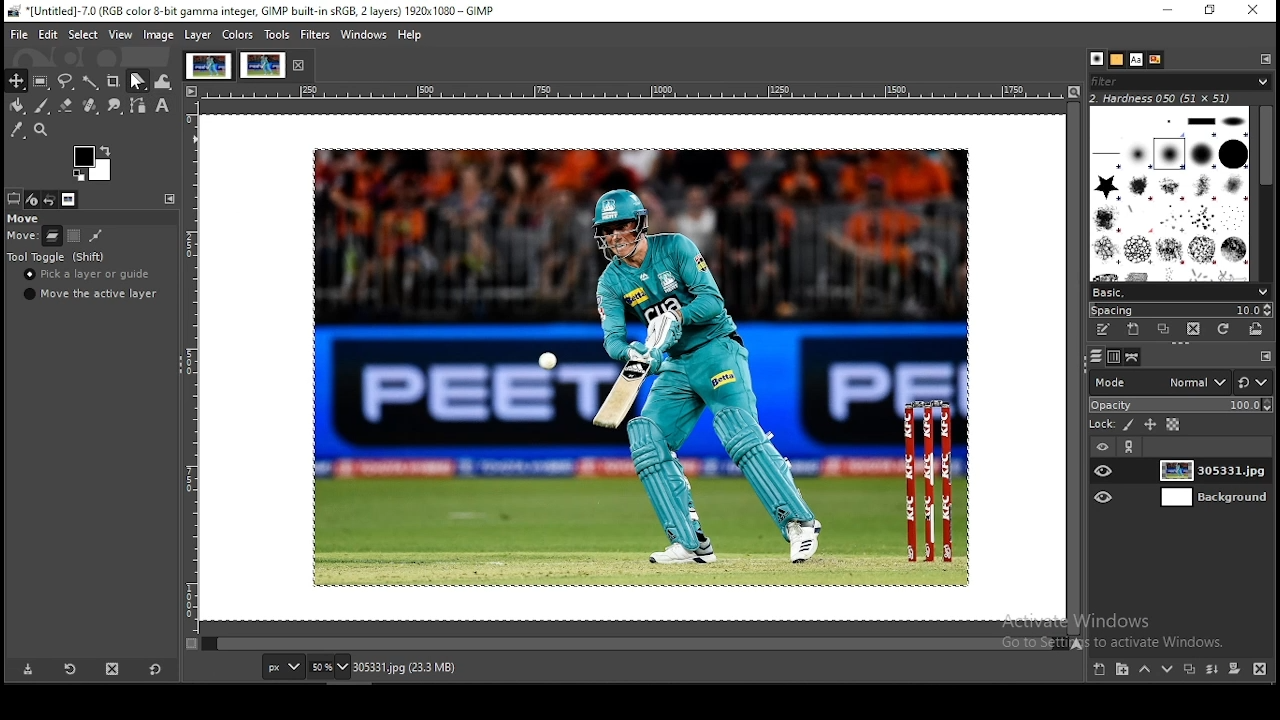  I want to click on paint brush tool, so click(45, 107).